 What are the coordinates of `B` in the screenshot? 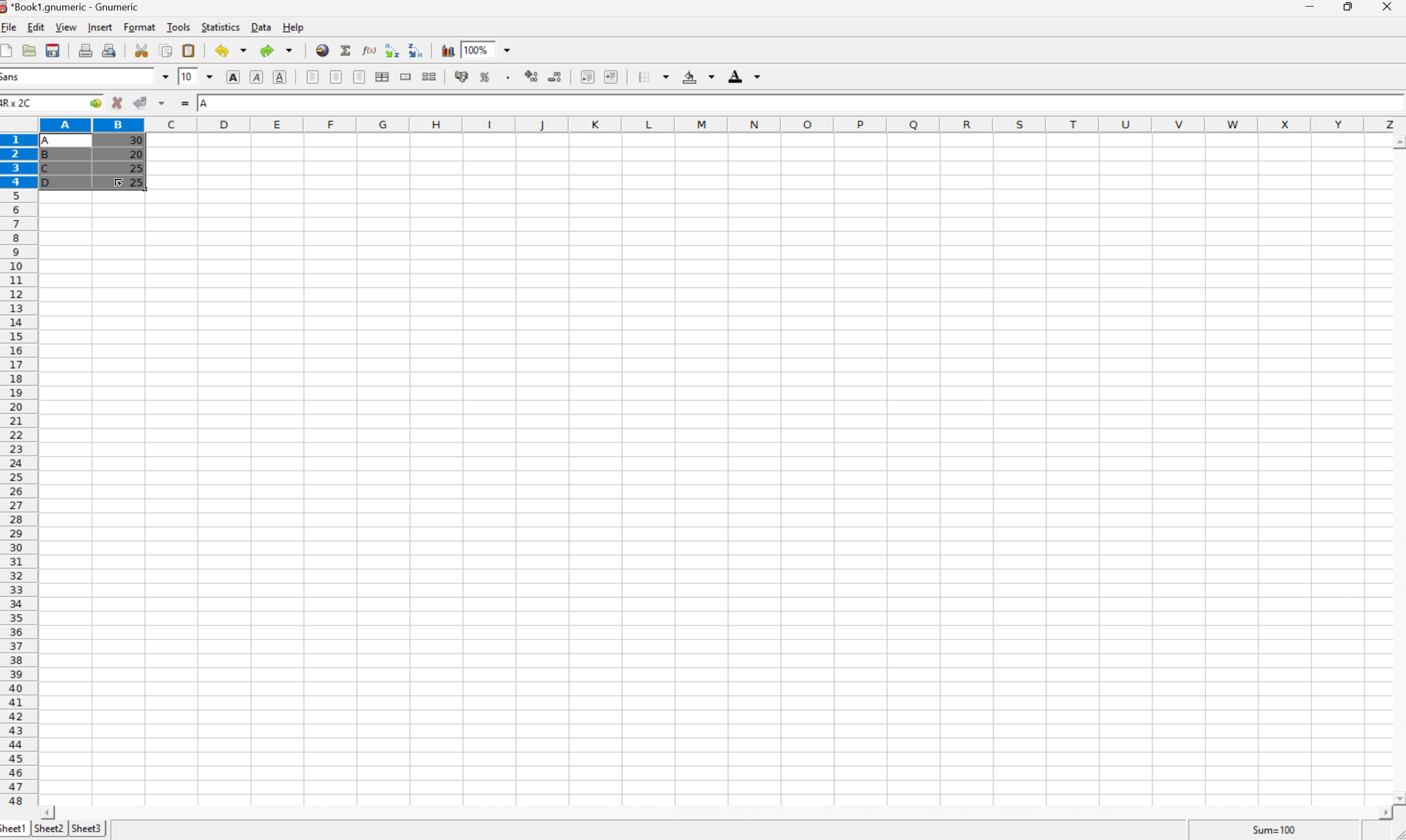 It's located at (49, 156).